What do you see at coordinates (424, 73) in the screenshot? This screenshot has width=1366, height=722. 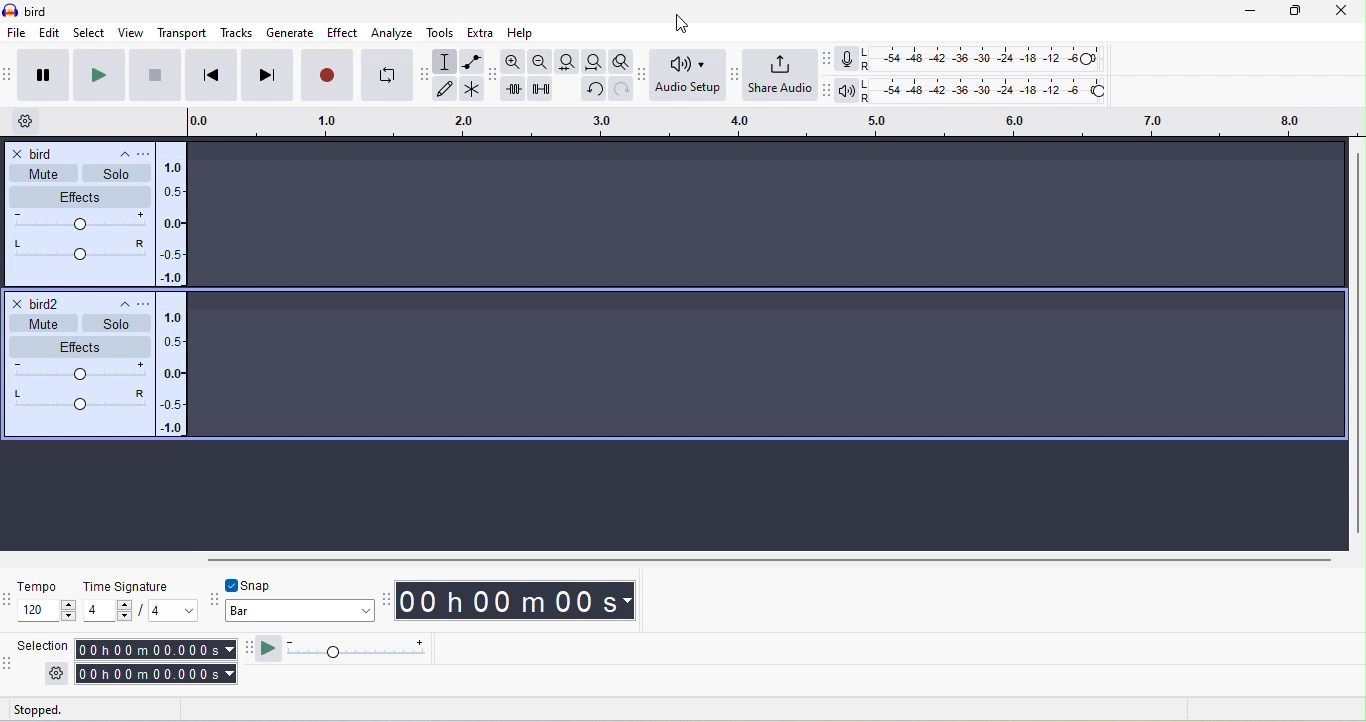 I see `audacity tools toolbar` at bounding box center [424, 73].